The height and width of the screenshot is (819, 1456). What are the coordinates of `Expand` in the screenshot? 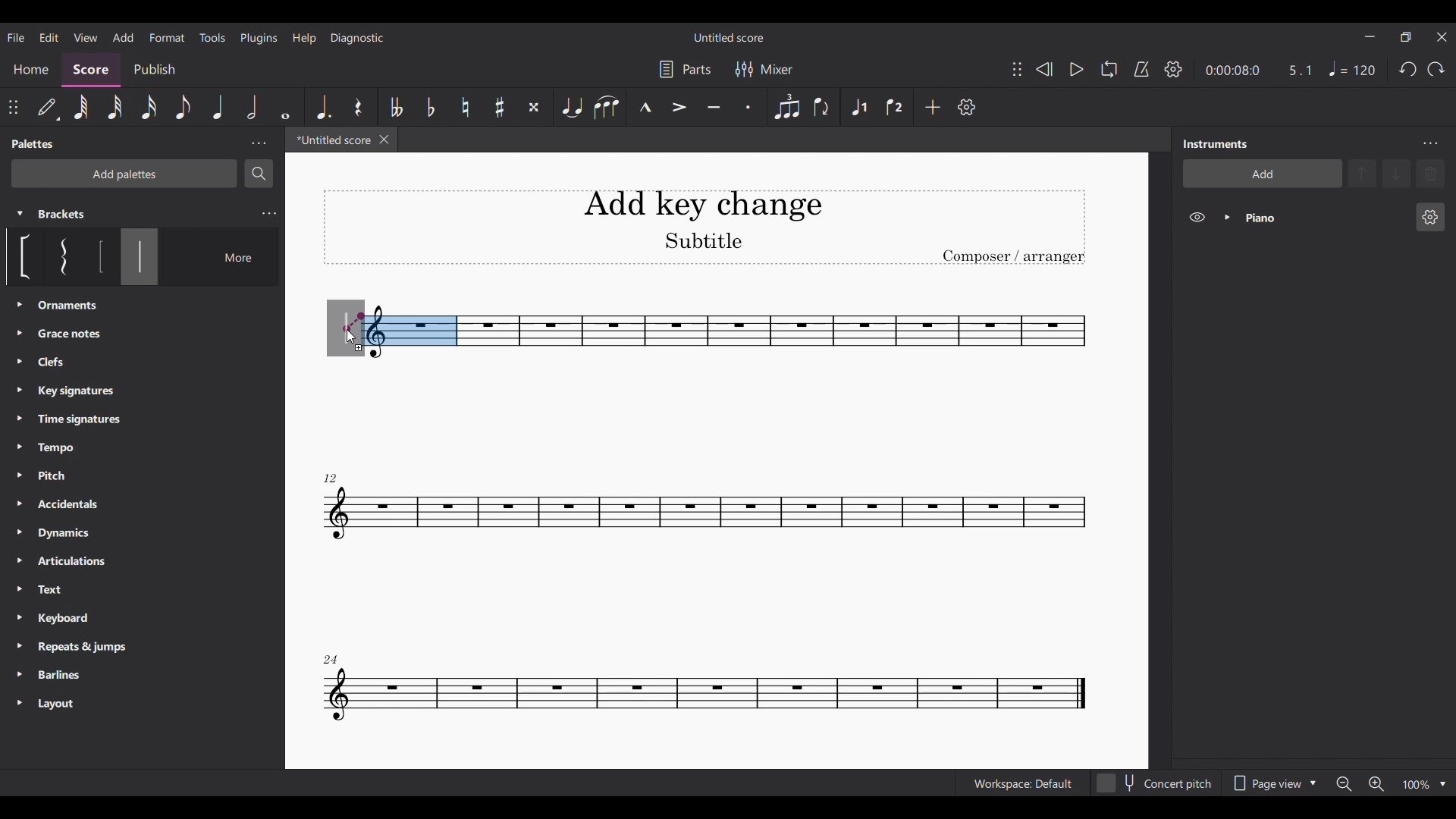 It's located at (1228, 217).